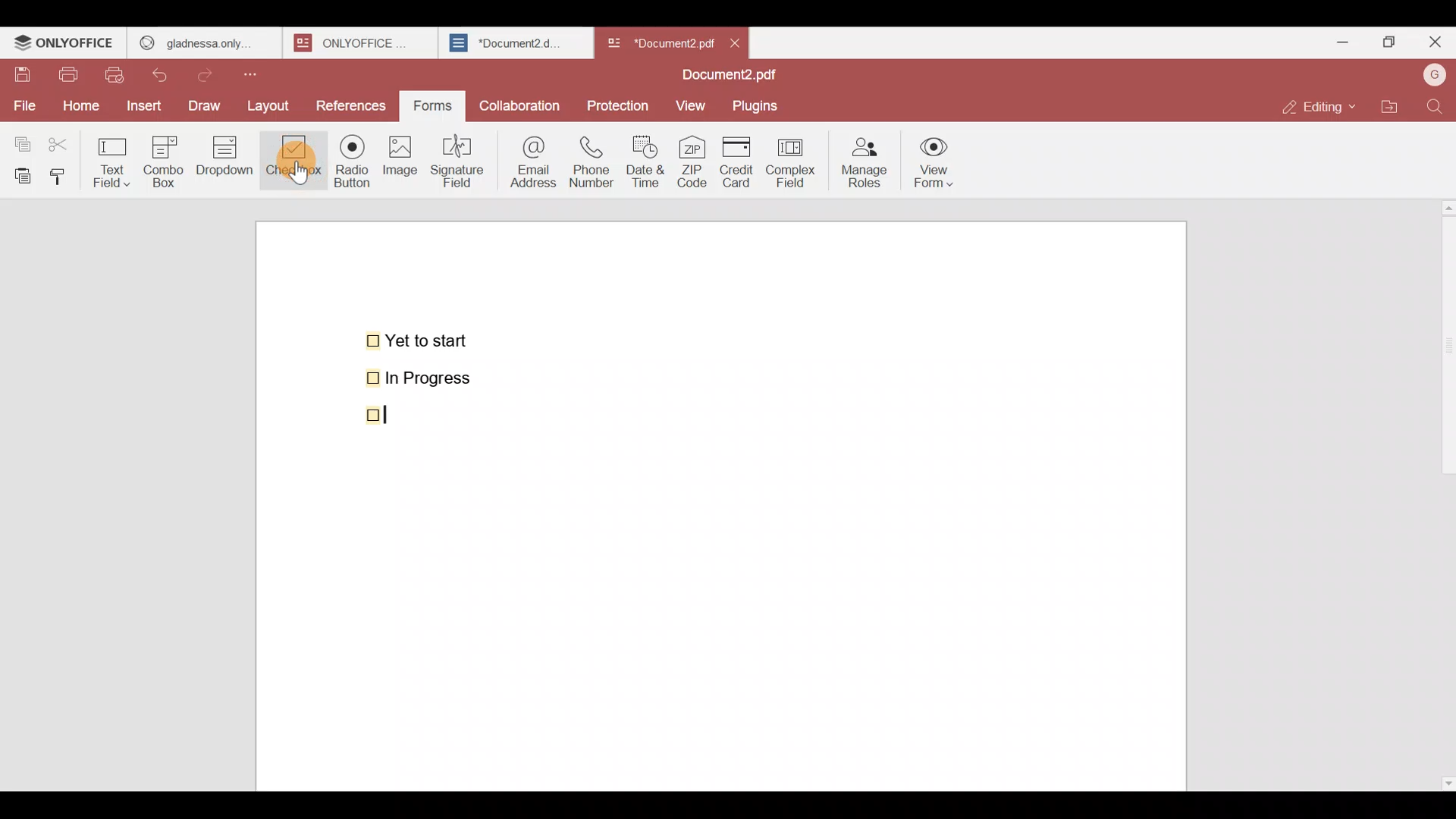 Image resolution: width=1456 pixels, height=819 pixels. Describe the element at coordinates (1316, 107) in the screenshot. I see `Editing mode` at that location.